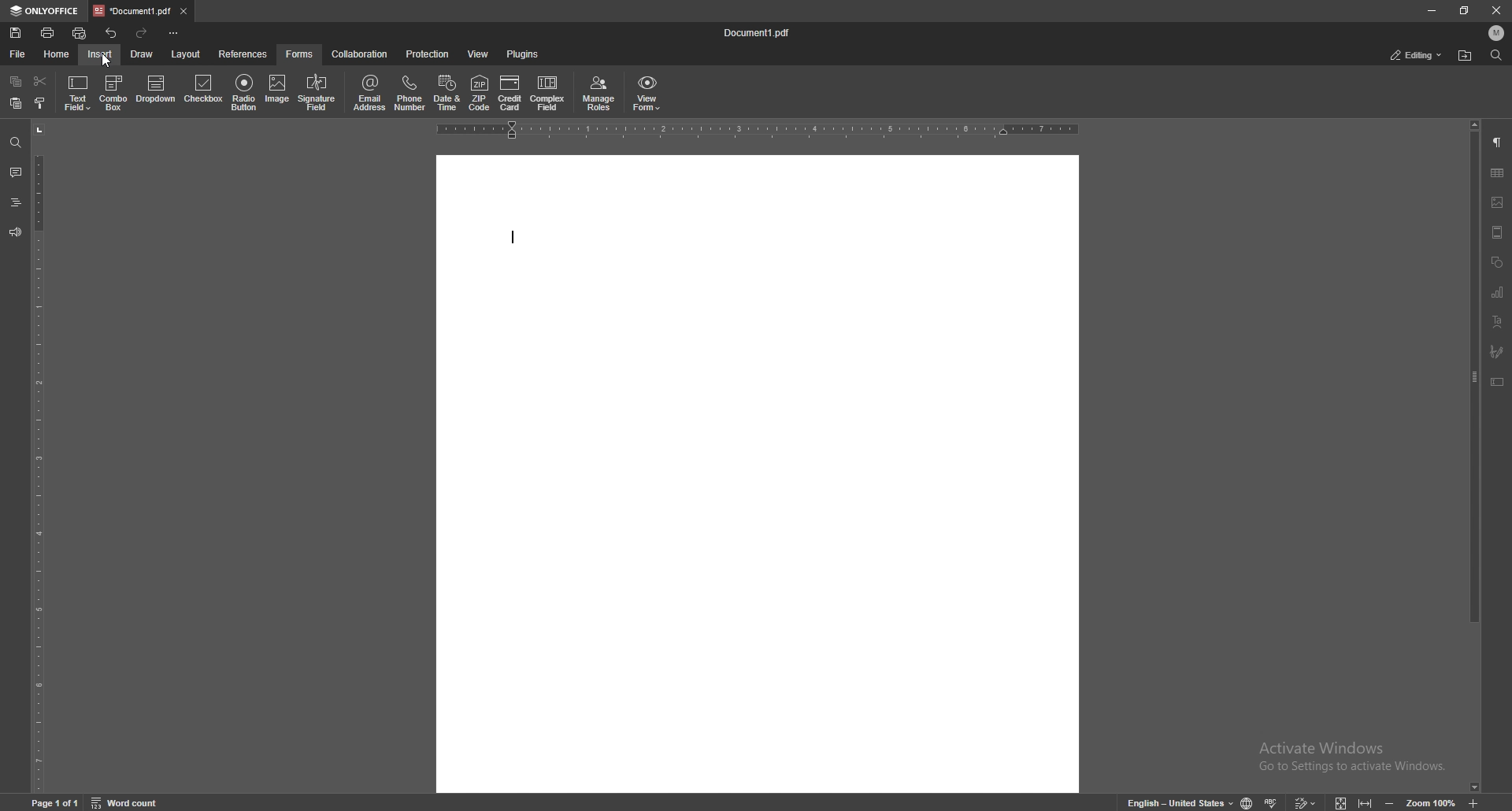 This screenshot has height=811, width=1512. Describe the element at coordinates (1388, 802) in the screenshot. I see `zoom out` at that location.